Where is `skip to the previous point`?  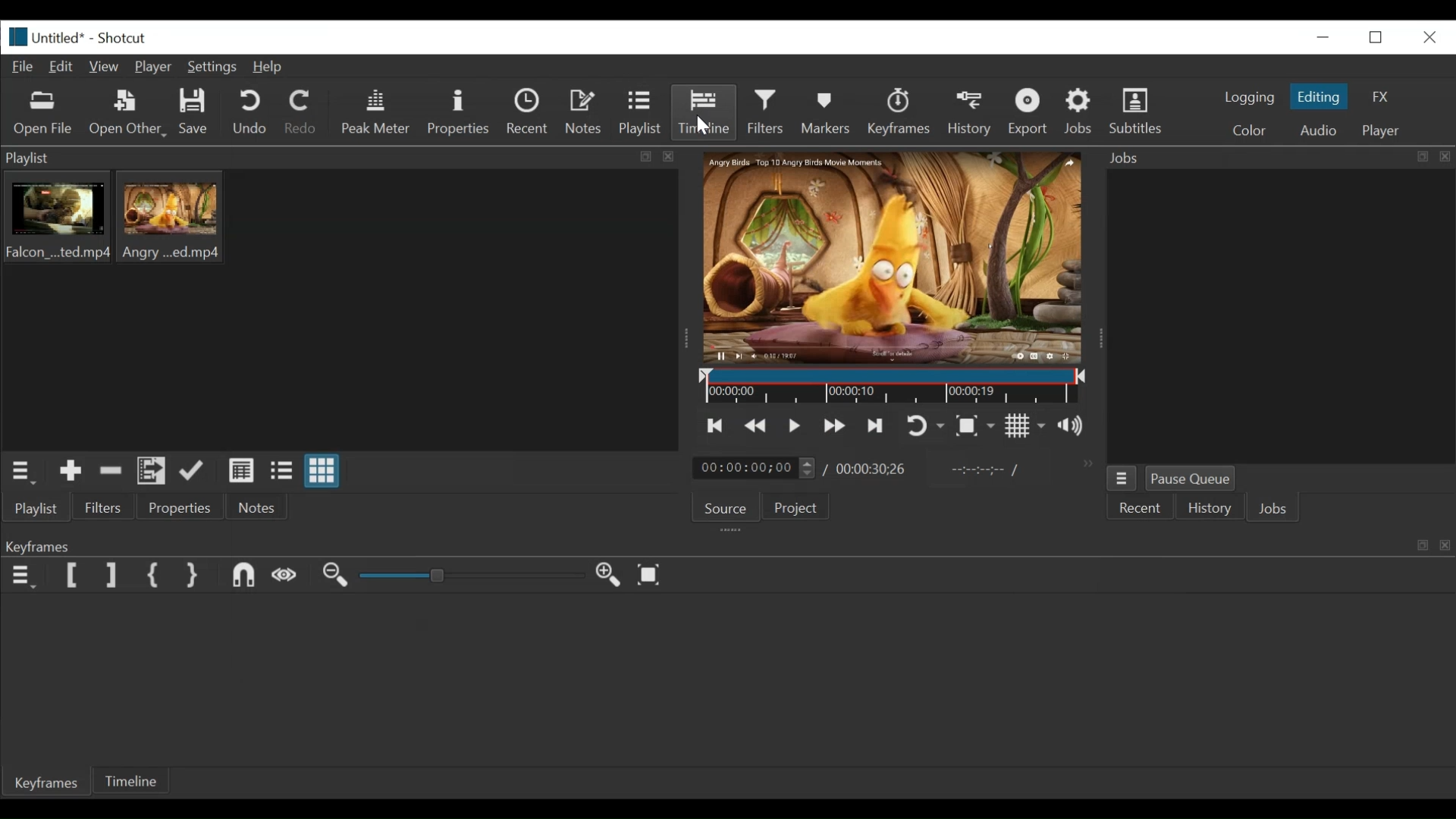
skip to the previous point is located at coordinates (715, 426).